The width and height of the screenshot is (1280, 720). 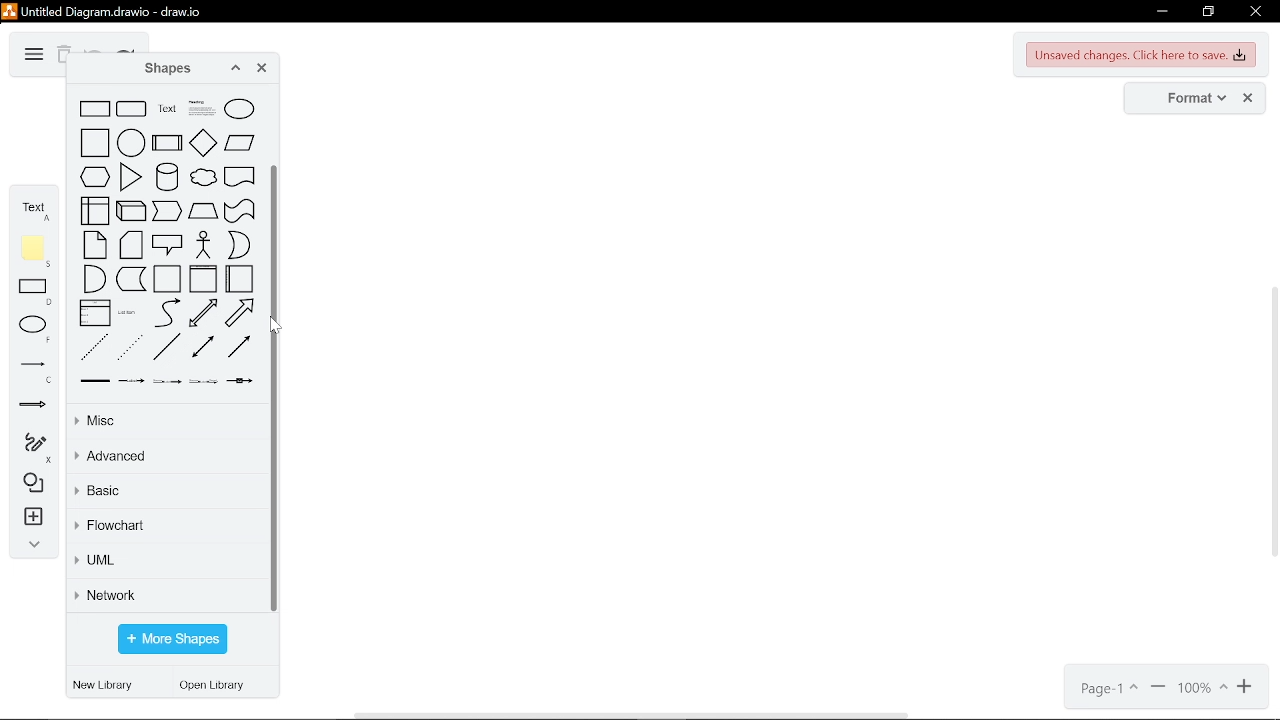 What do you see at coordinates (1190, 99) in the screenshot?
I see `format` at bounding box center [1190, 99].